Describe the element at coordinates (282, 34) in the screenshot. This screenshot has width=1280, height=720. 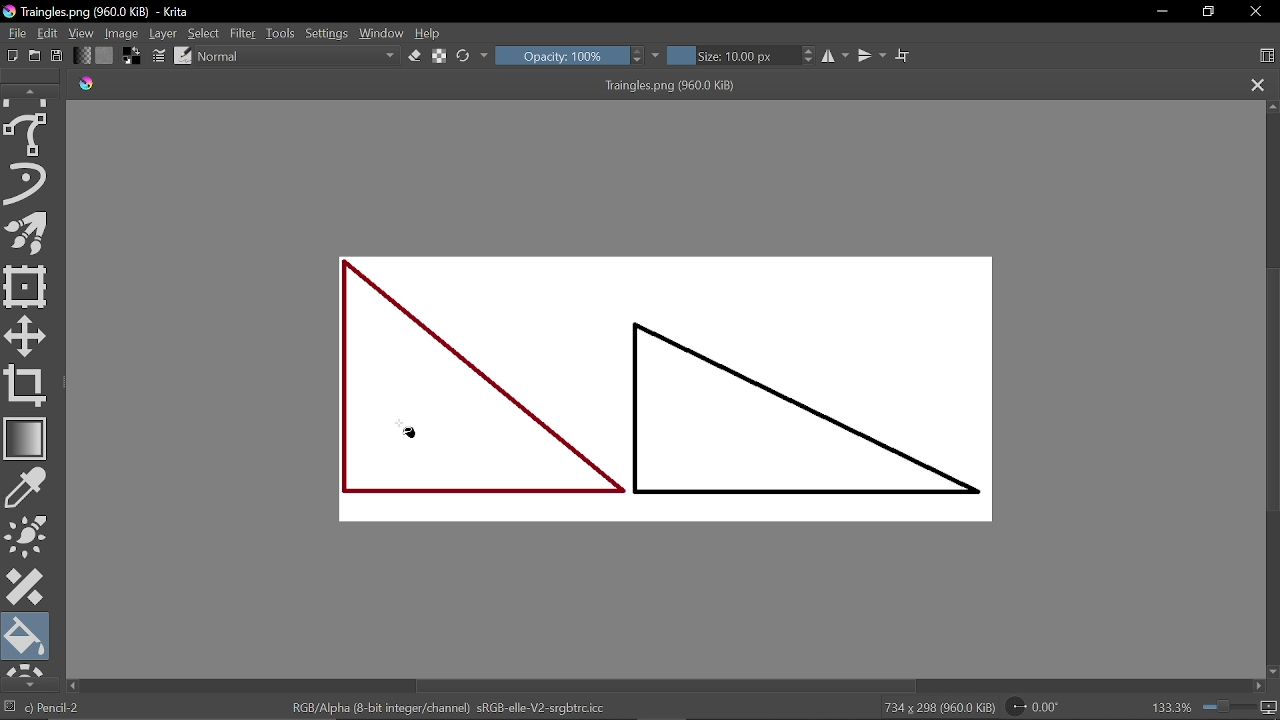
I see `Tools` at that location.